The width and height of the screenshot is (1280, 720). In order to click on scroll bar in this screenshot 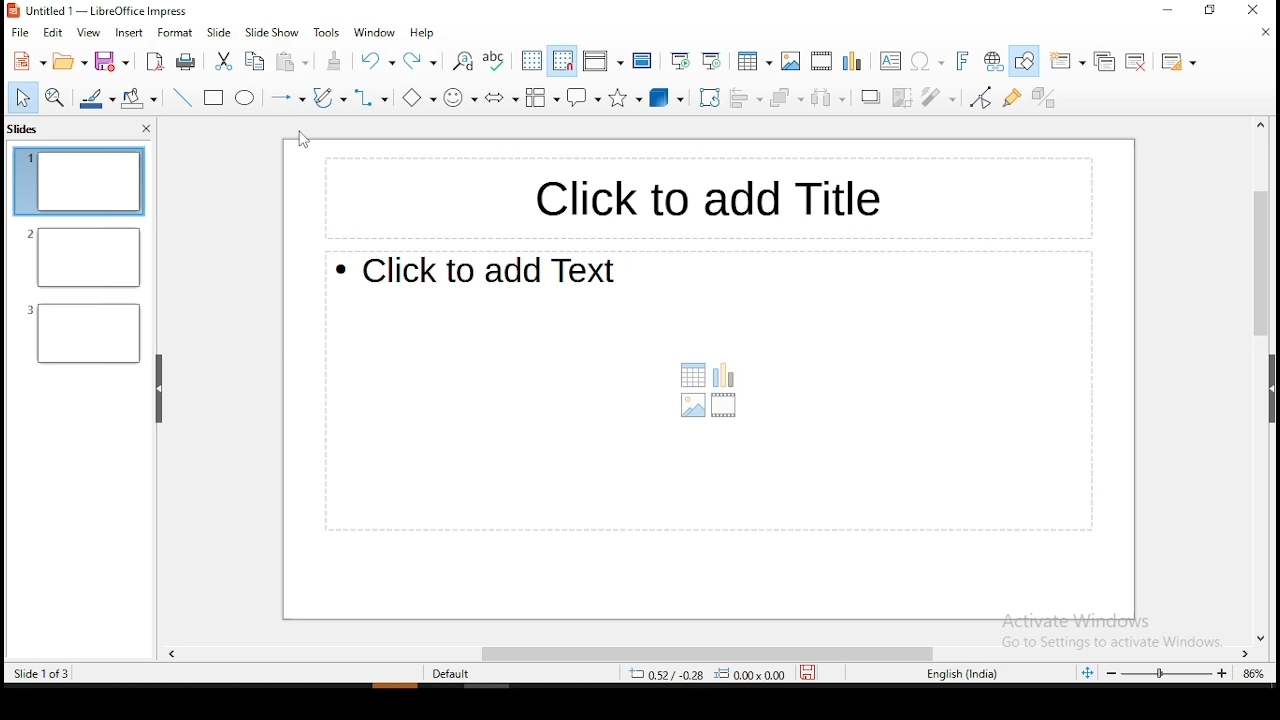, I will do `click(707, 655)`.